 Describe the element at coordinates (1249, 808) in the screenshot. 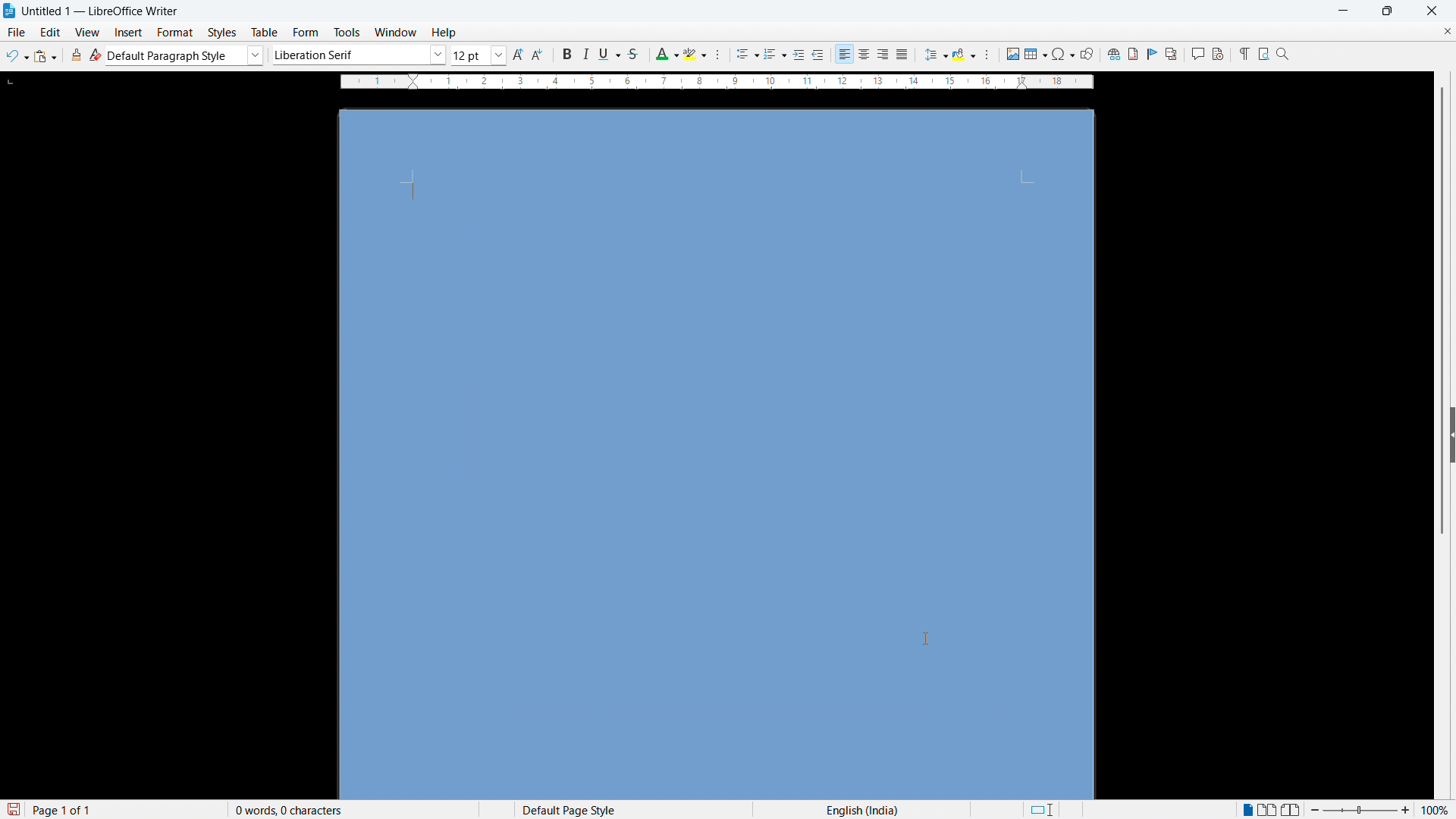

I see `Single page view ` at that location.